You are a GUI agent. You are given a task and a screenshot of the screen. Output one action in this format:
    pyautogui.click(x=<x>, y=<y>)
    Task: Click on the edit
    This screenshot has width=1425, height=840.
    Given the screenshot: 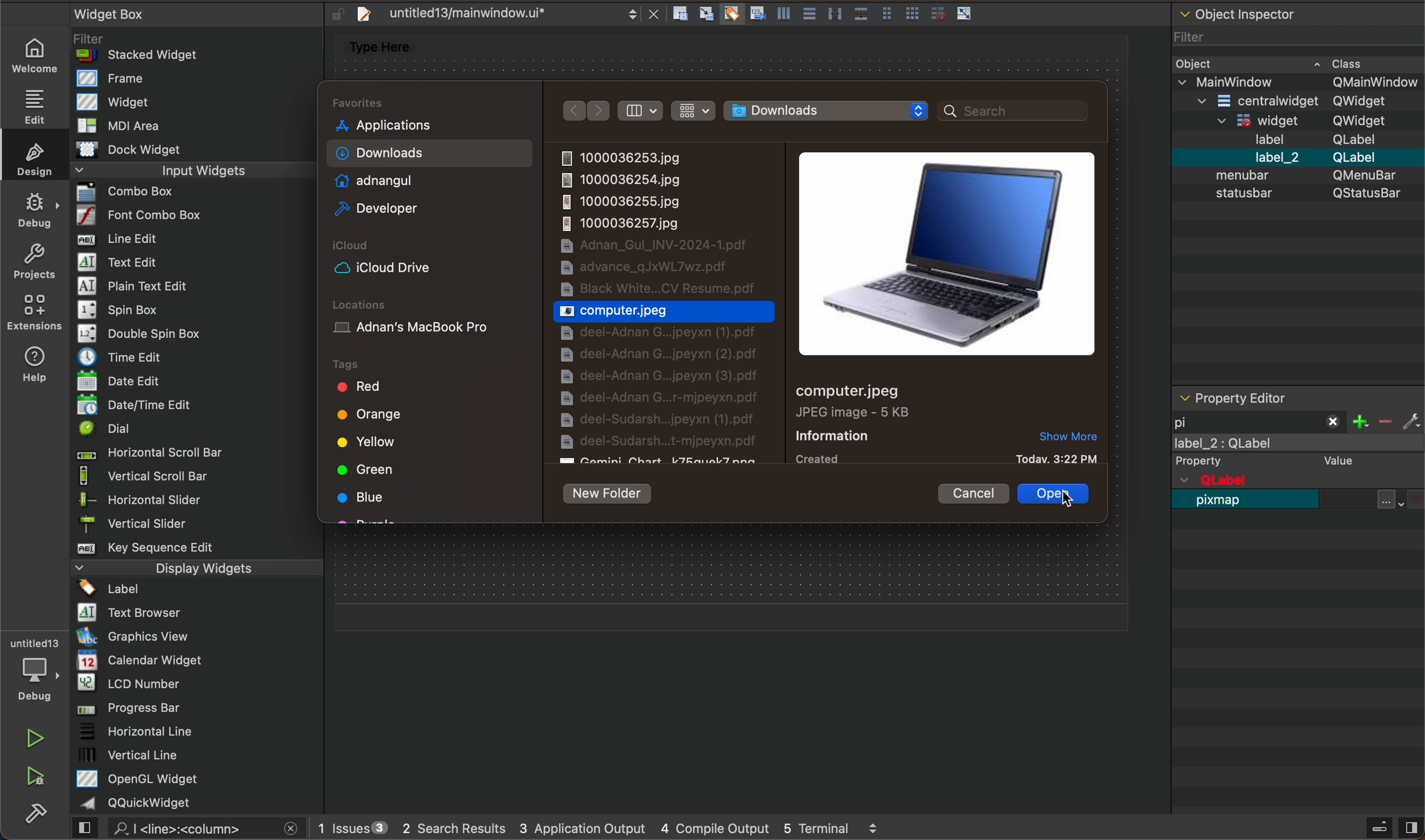 What is the action you would take?
    pyautogui.click(x=32, y=104)
    